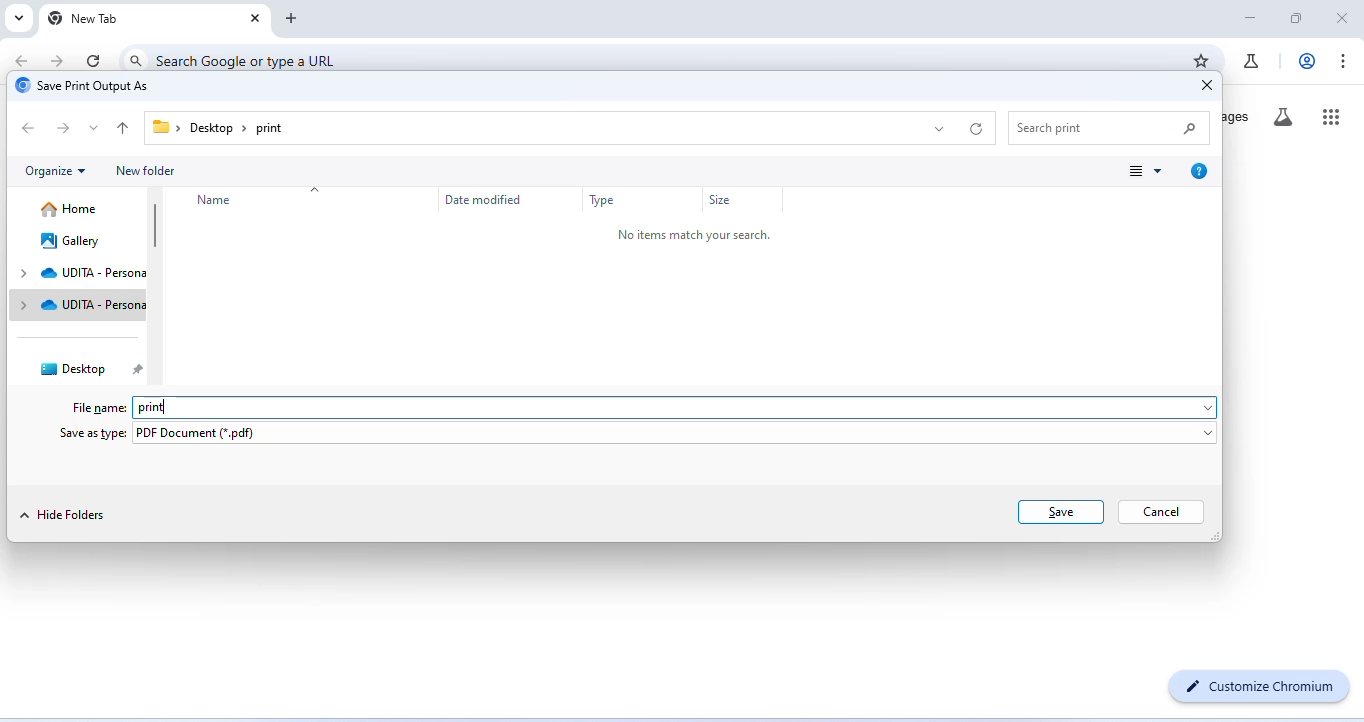 The image size is (1364, 722). What do you see at coordinates (249, 61) in the screenshot?
I see `search google or type a URL` at bounding box center [249, 61].